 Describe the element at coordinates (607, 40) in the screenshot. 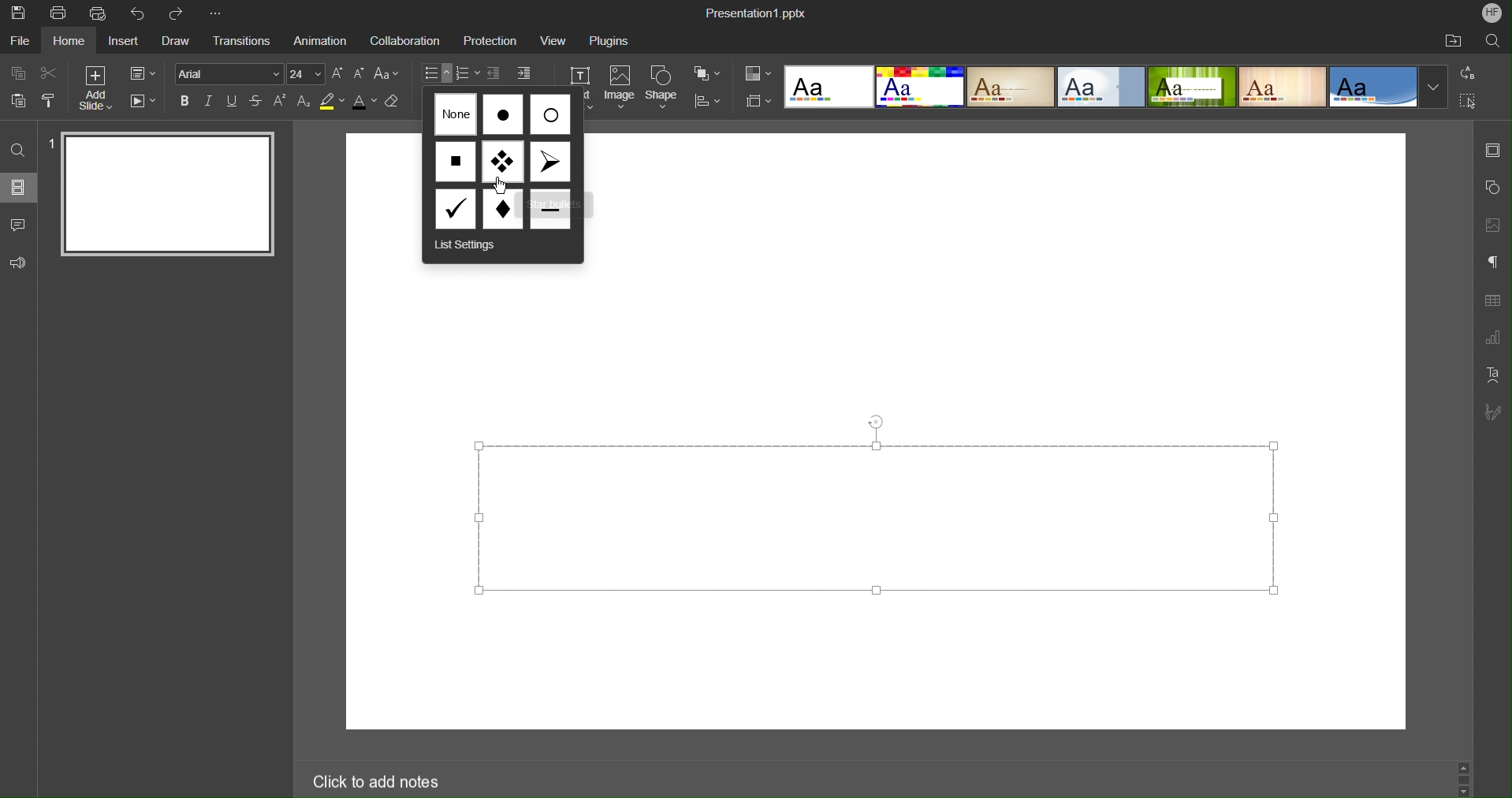

I see `Plugins` at that location.